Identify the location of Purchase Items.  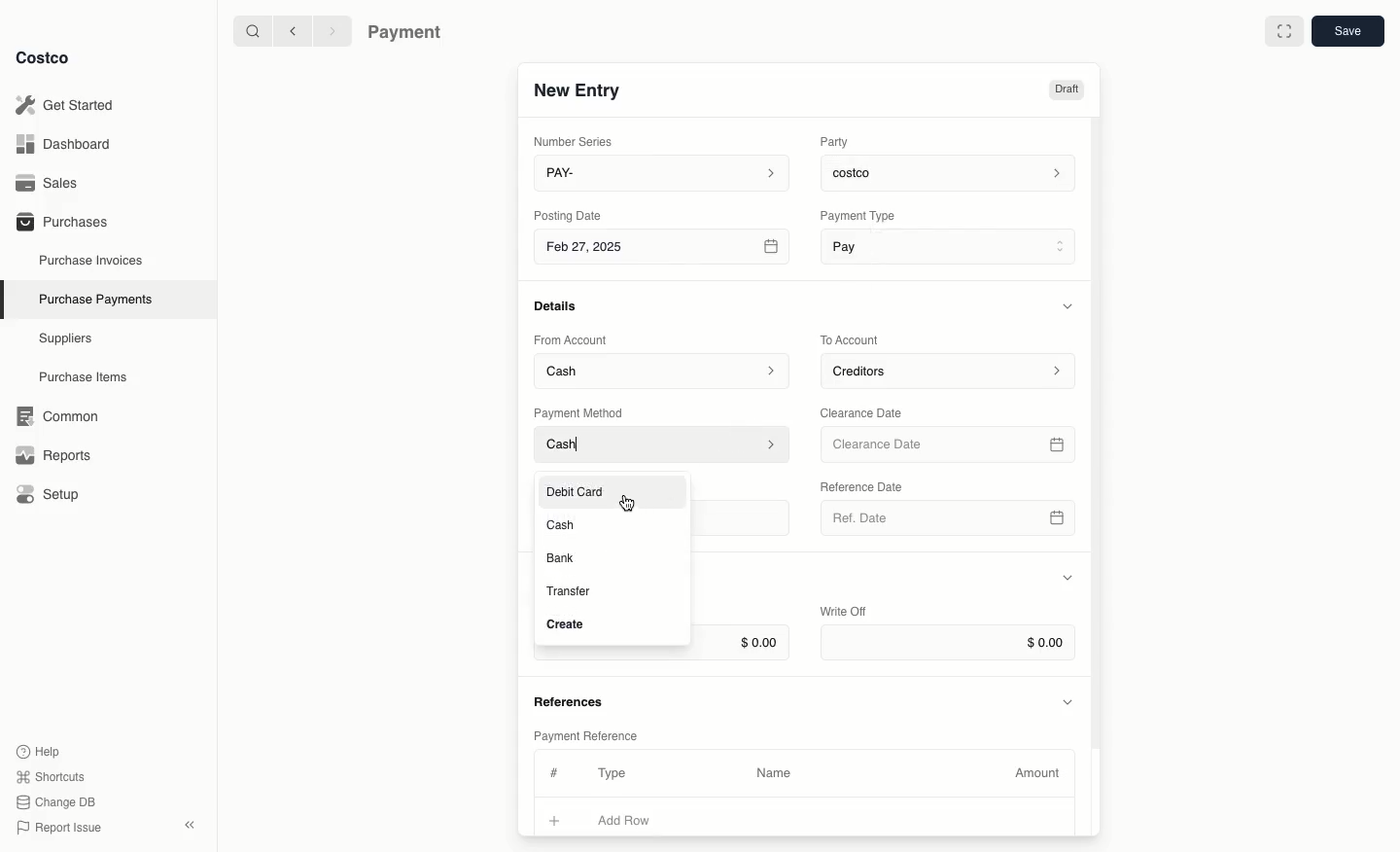
(86, 377).